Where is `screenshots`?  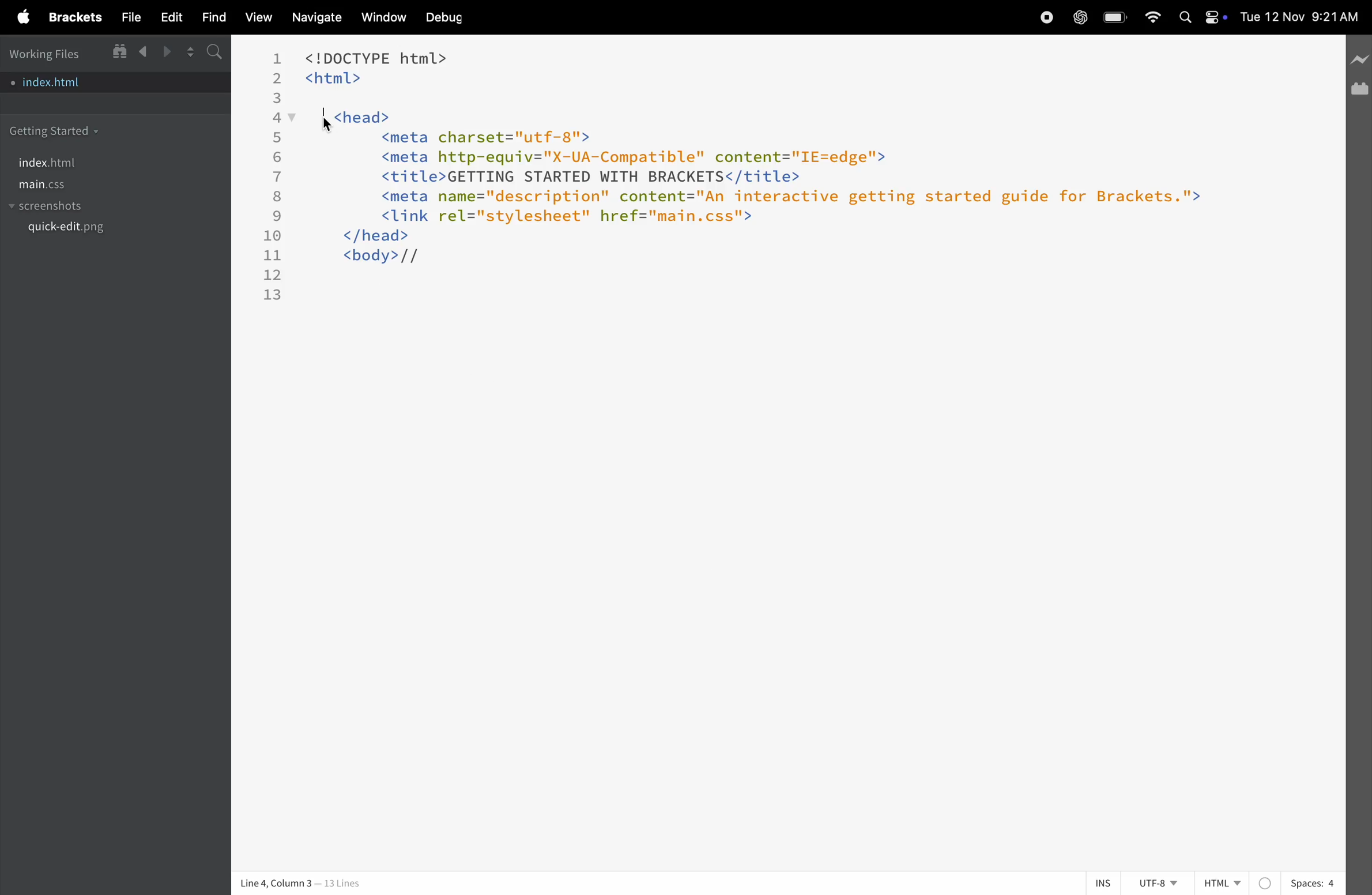 screenshots is located at coordinates (62, 205).